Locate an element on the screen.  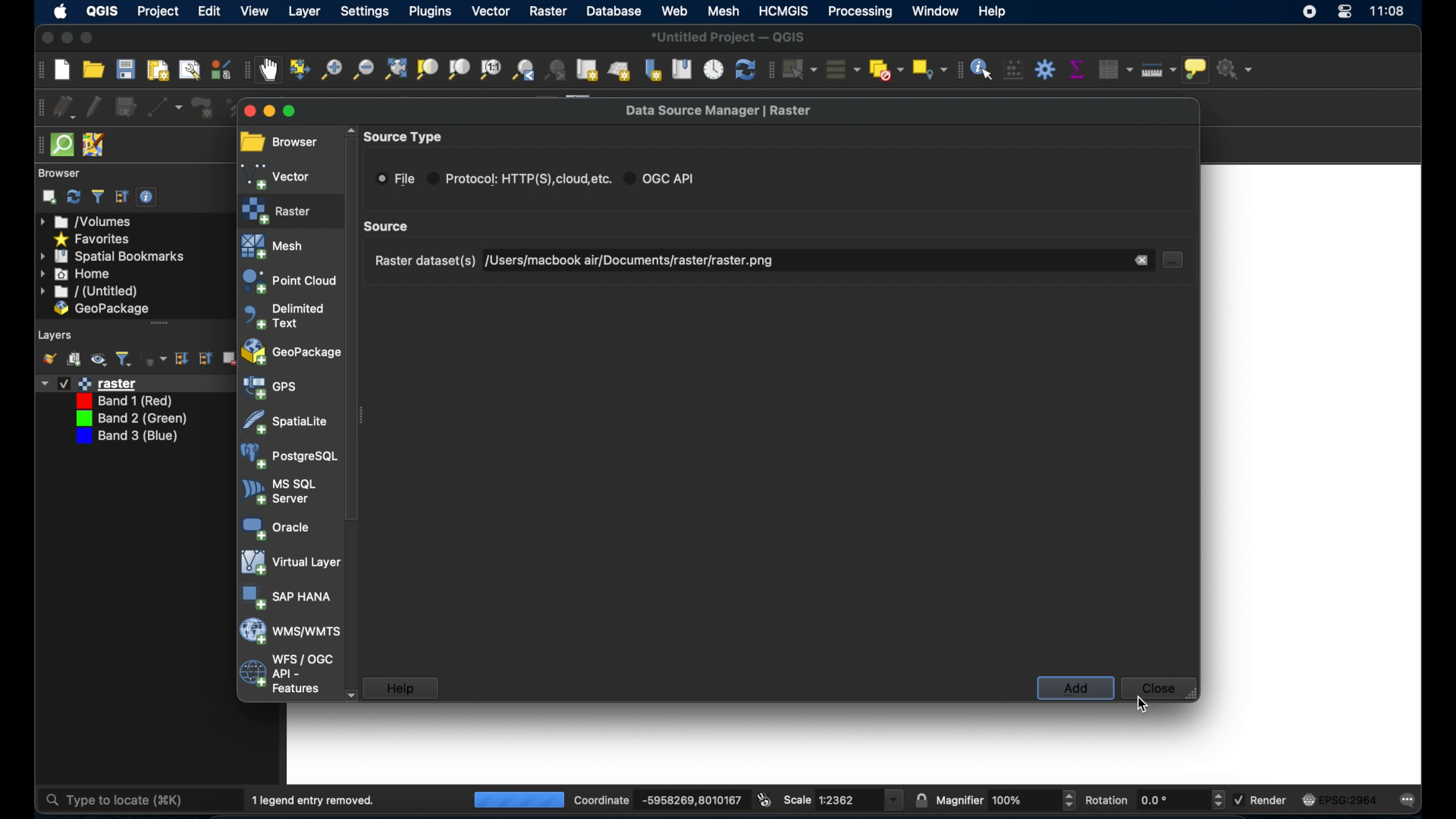
add is located at coordinates (1073, 688).